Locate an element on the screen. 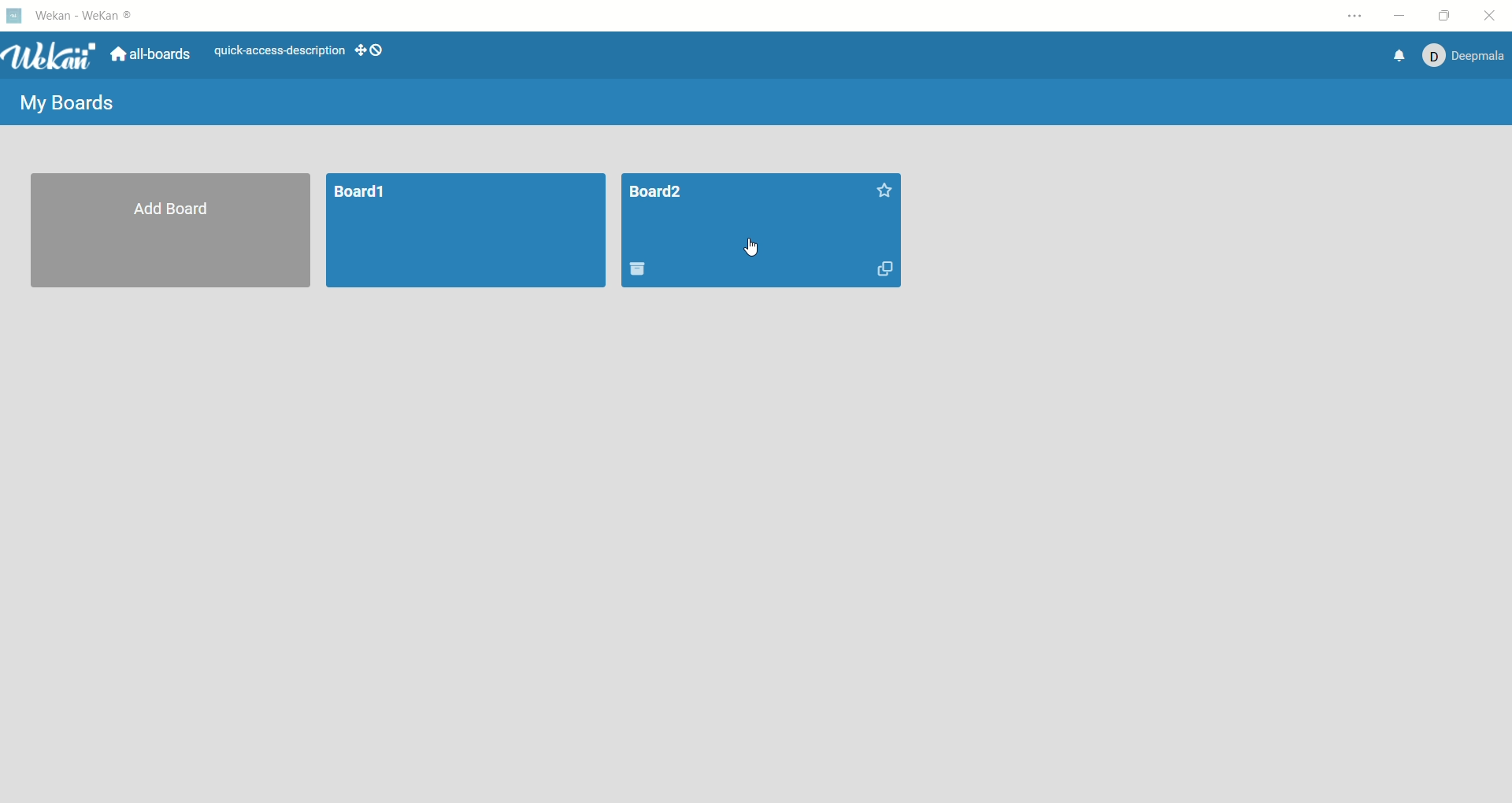 The width and height of the screenshot is (1512, 803). duplicate is located at coordinates (885, 268).